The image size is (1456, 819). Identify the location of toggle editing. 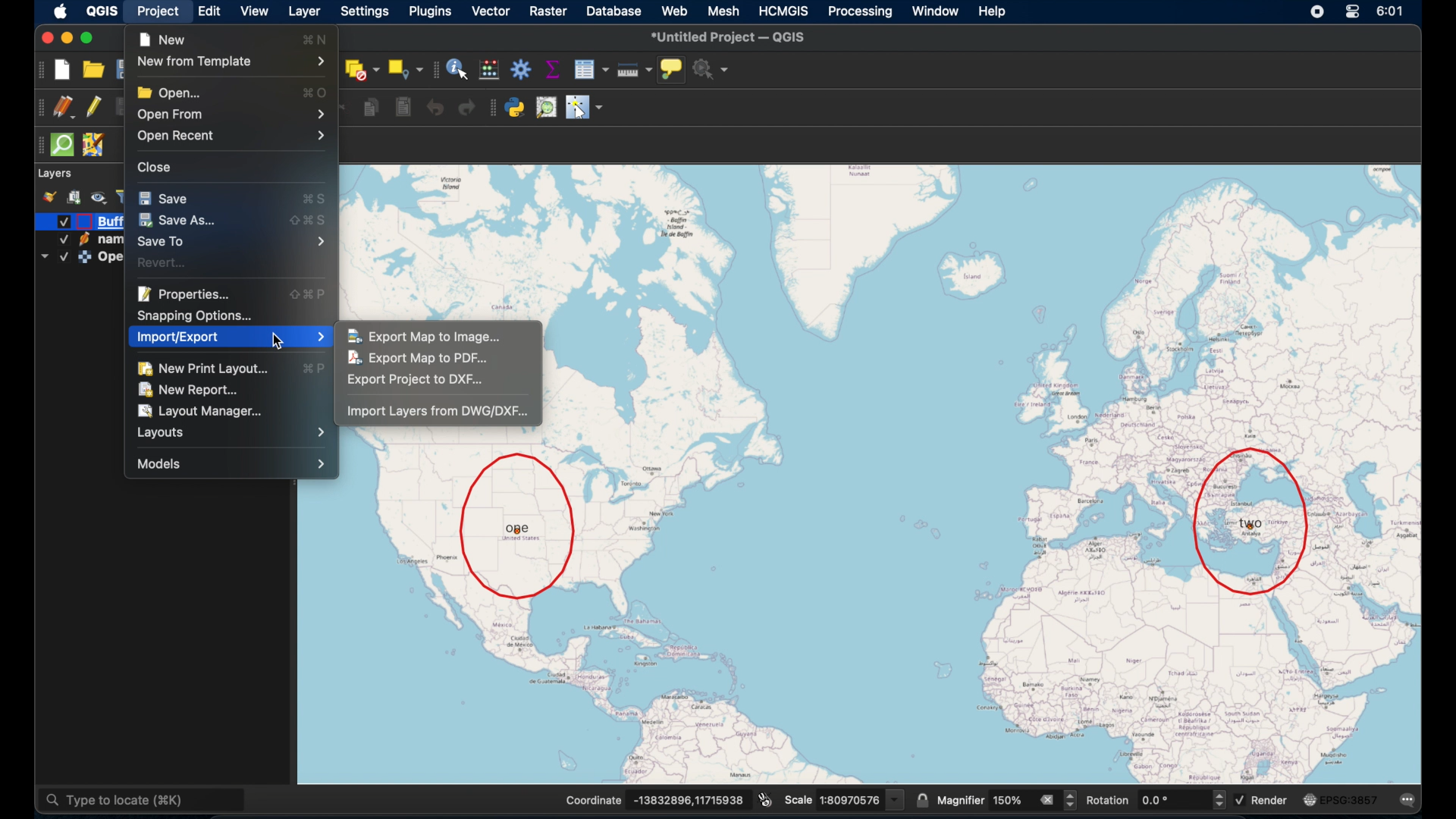
(93, 106).